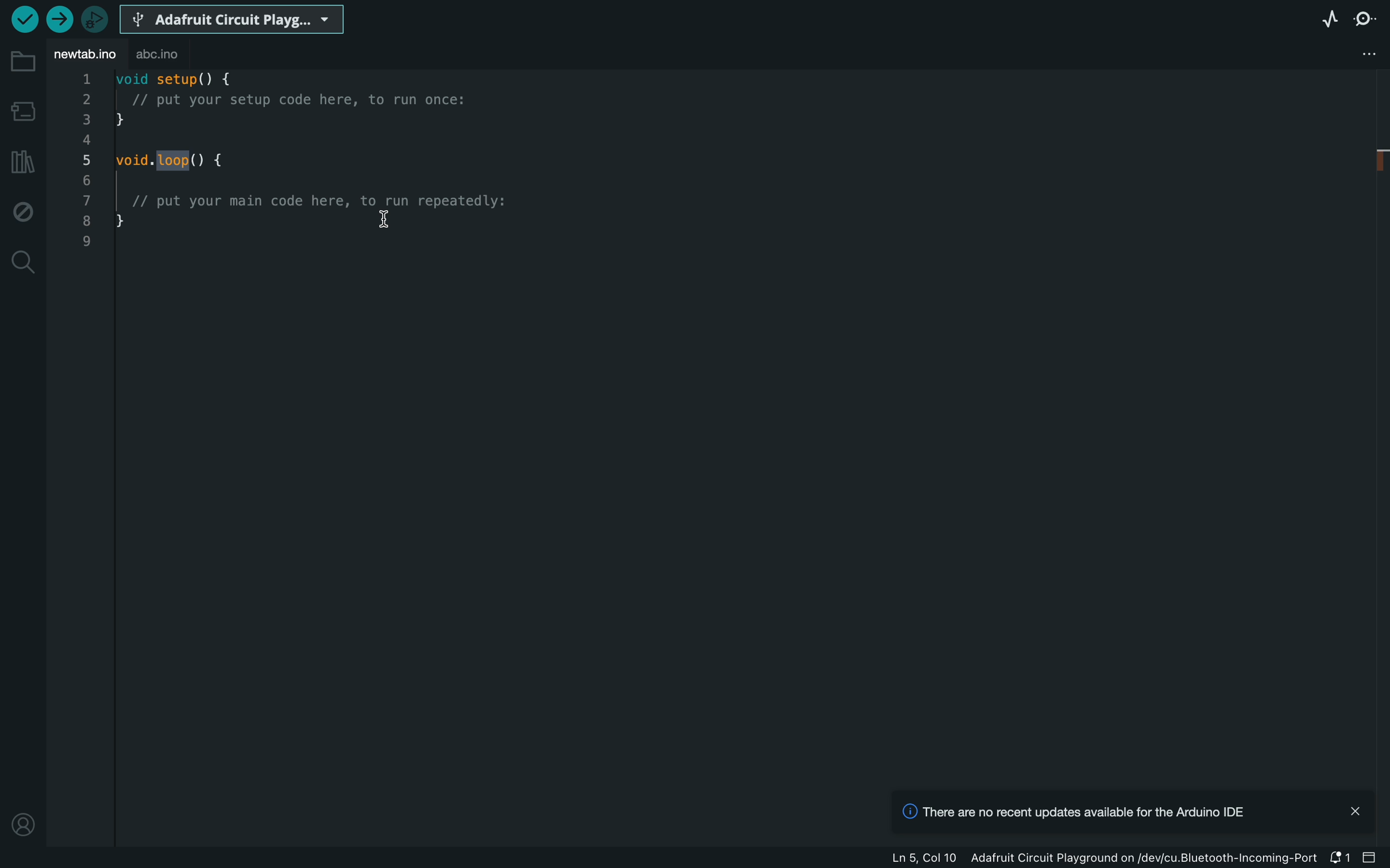 The width and height of the screenshot is (1390, 868). What do you see at coordinates (928, 858) in the screenshot?
I see `Ln 5, Col 10` at bounding box center [928, 858].